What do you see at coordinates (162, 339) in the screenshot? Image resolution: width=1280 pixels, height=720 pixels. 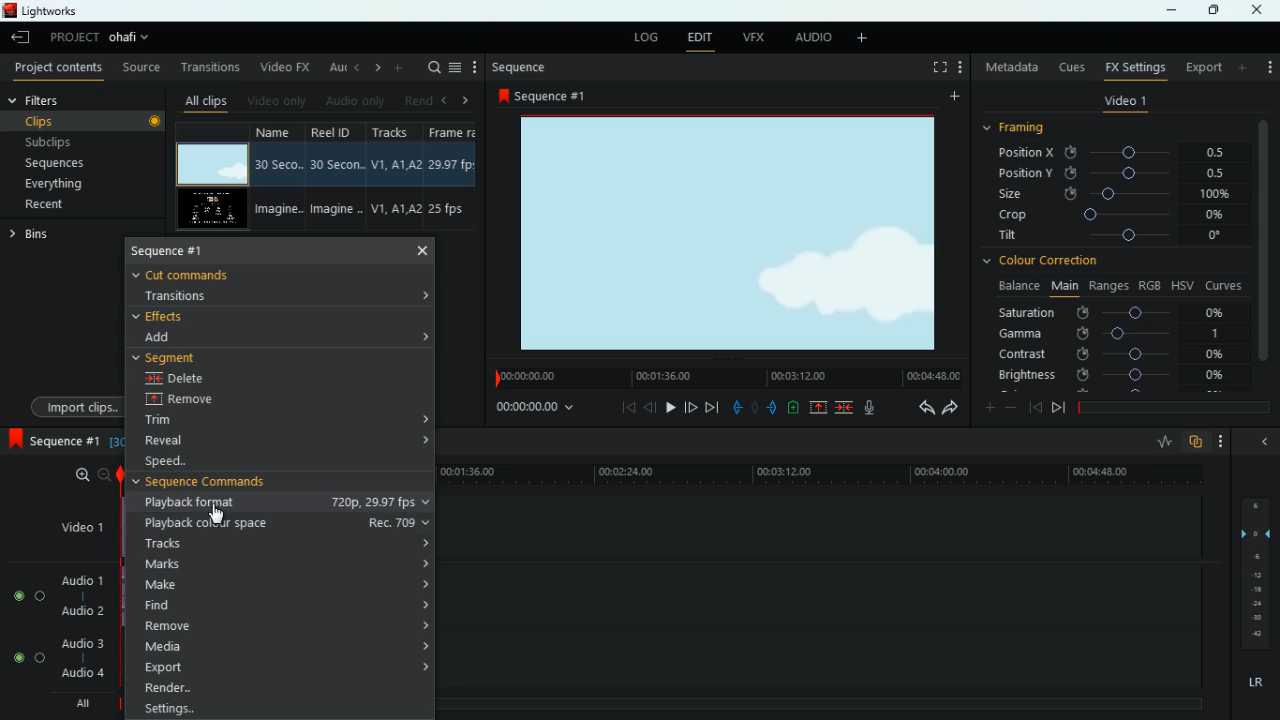 I see `add` at bounding box center [162, 339].